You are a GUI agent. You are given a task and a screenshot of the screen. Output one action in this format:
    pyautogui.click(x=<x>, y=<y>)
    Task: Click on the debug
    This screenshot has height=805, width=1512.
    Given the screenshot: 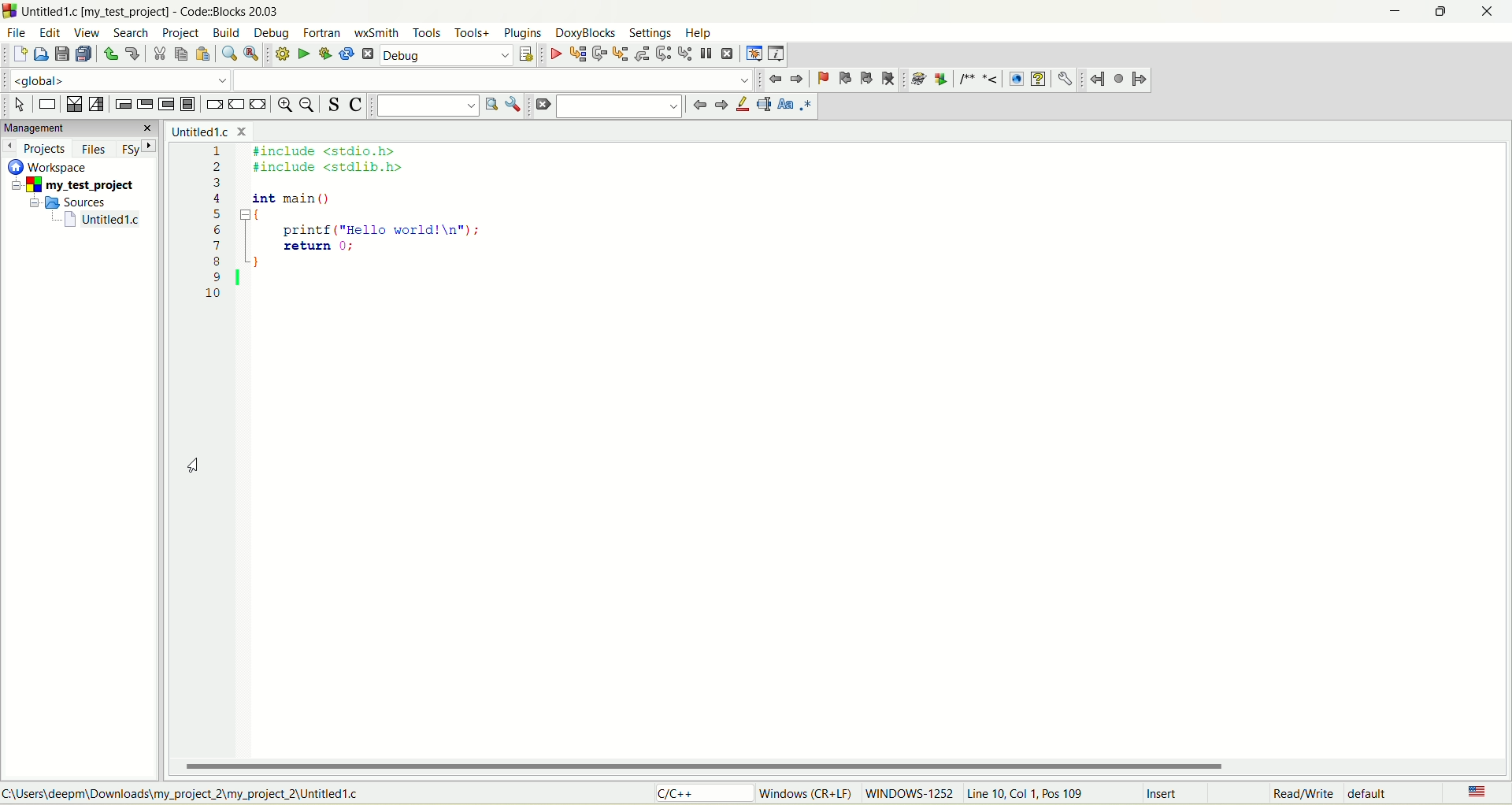 What is the action you would take?
    pyautogui.click(x=275, y=34)
    